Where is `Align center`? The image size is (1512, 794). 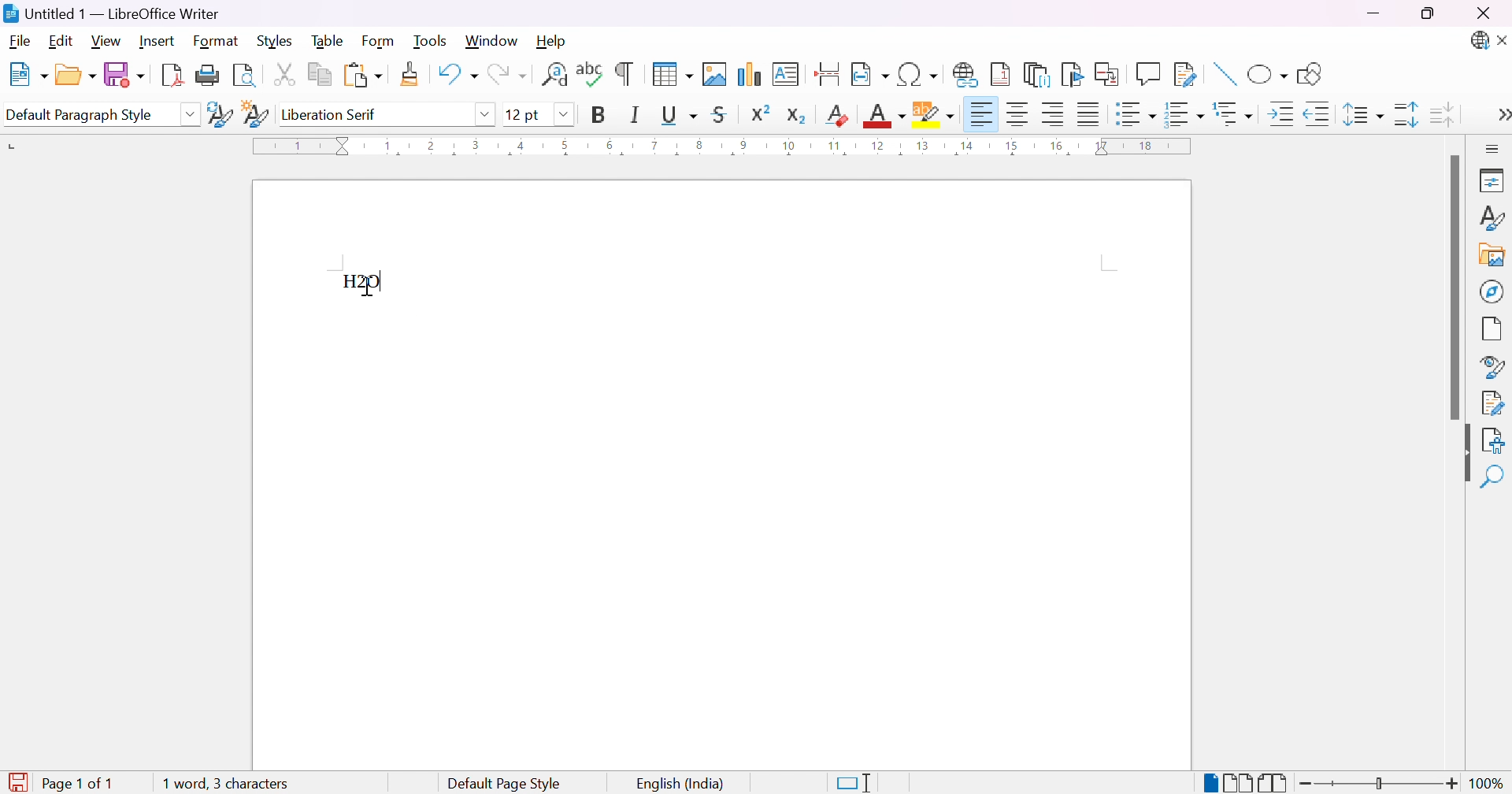 Align center is located at coordinates (1020, 114).